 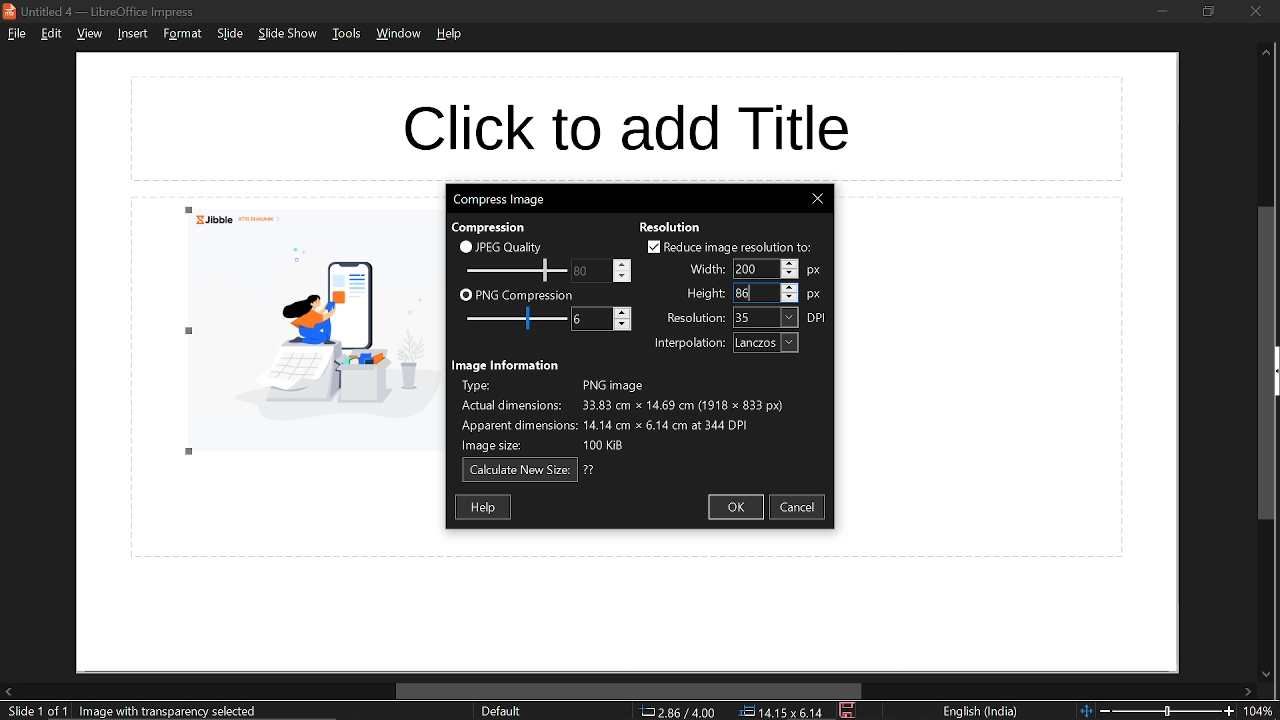 I want to click on save, so click(x=849, y=711).